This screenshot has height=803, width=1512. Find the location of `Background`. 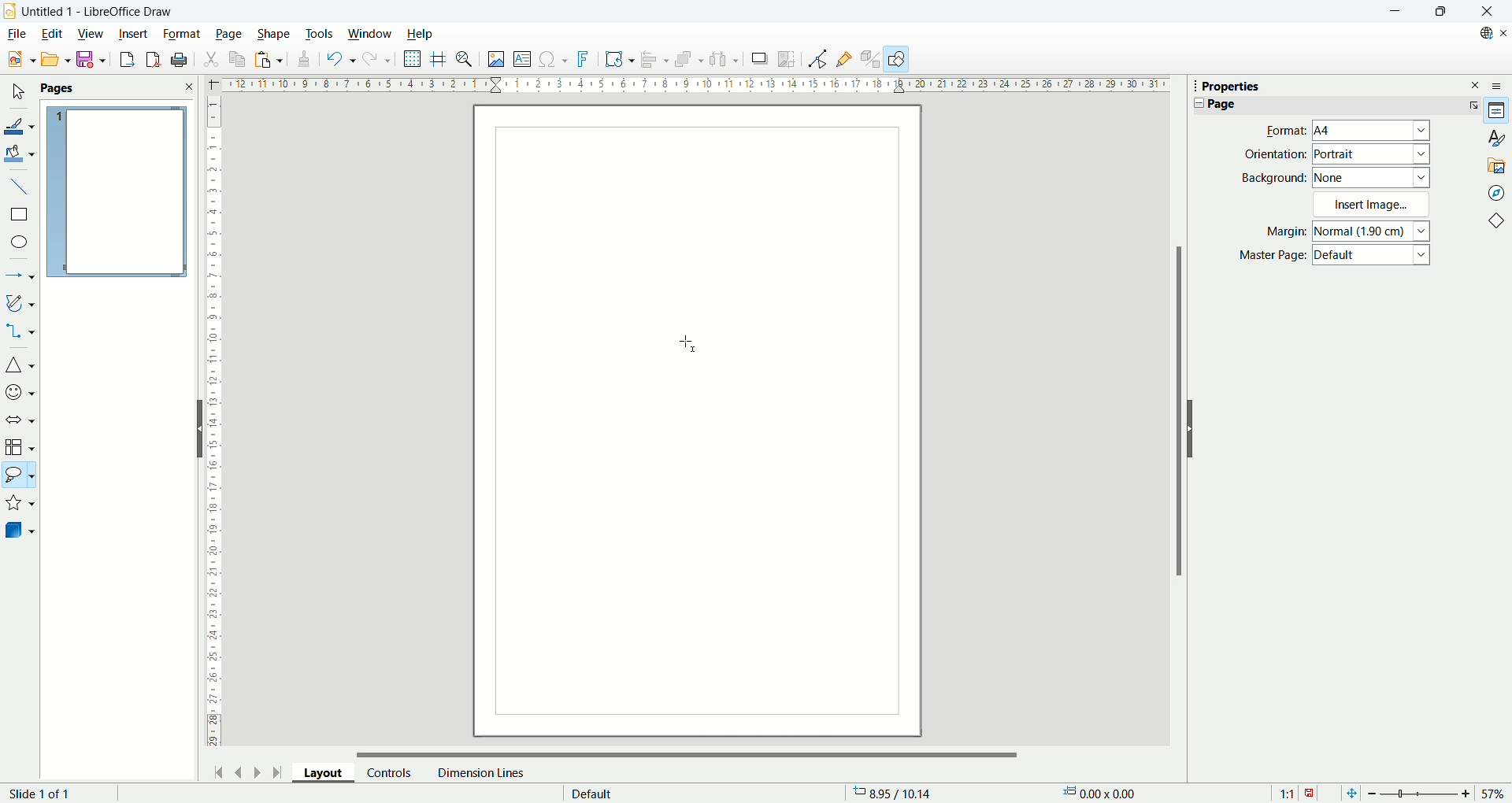

Background is located at coordinates (1274, 177).